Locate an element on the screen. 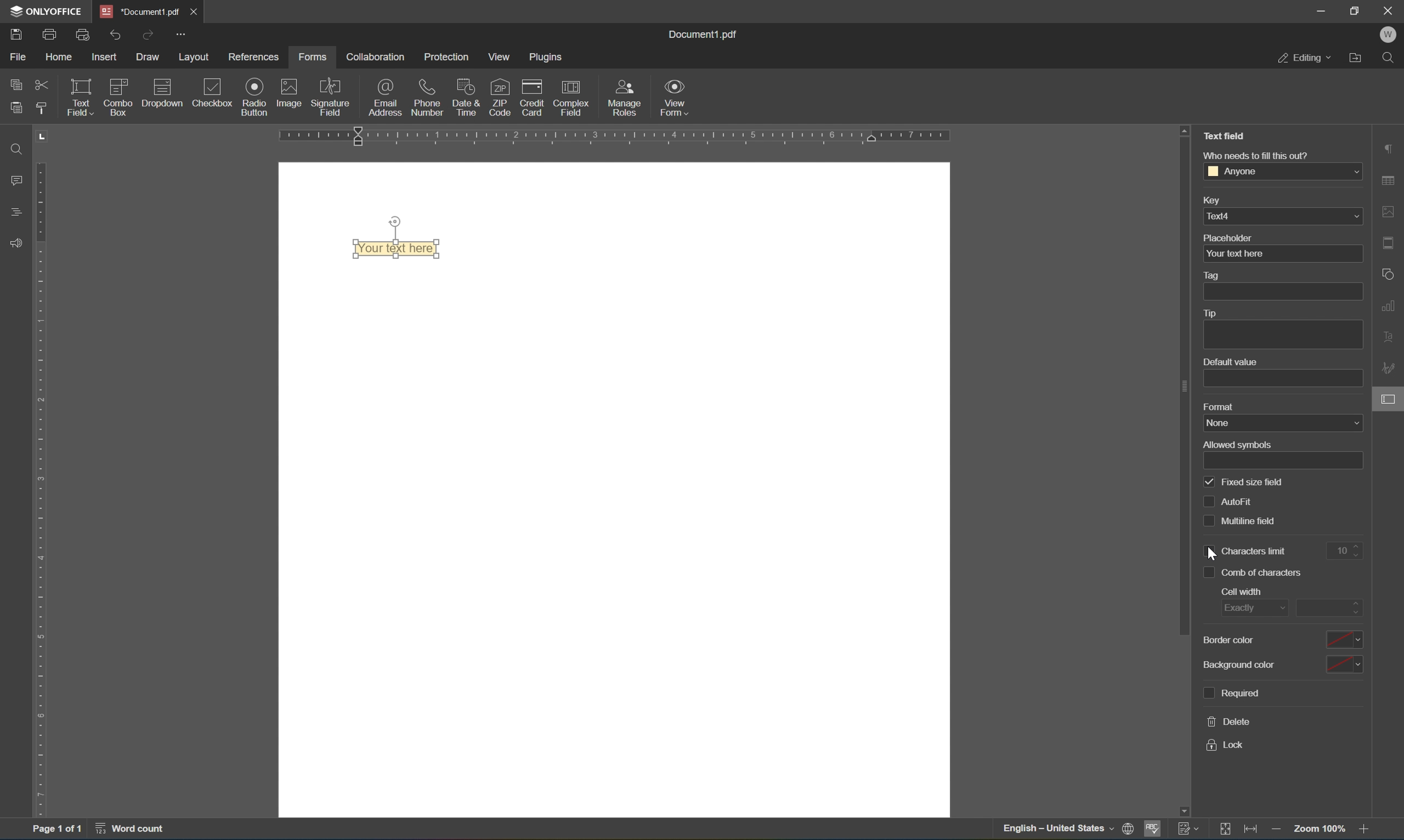 The image size is (1404, 840). form view is located at coordinates (673, 96).